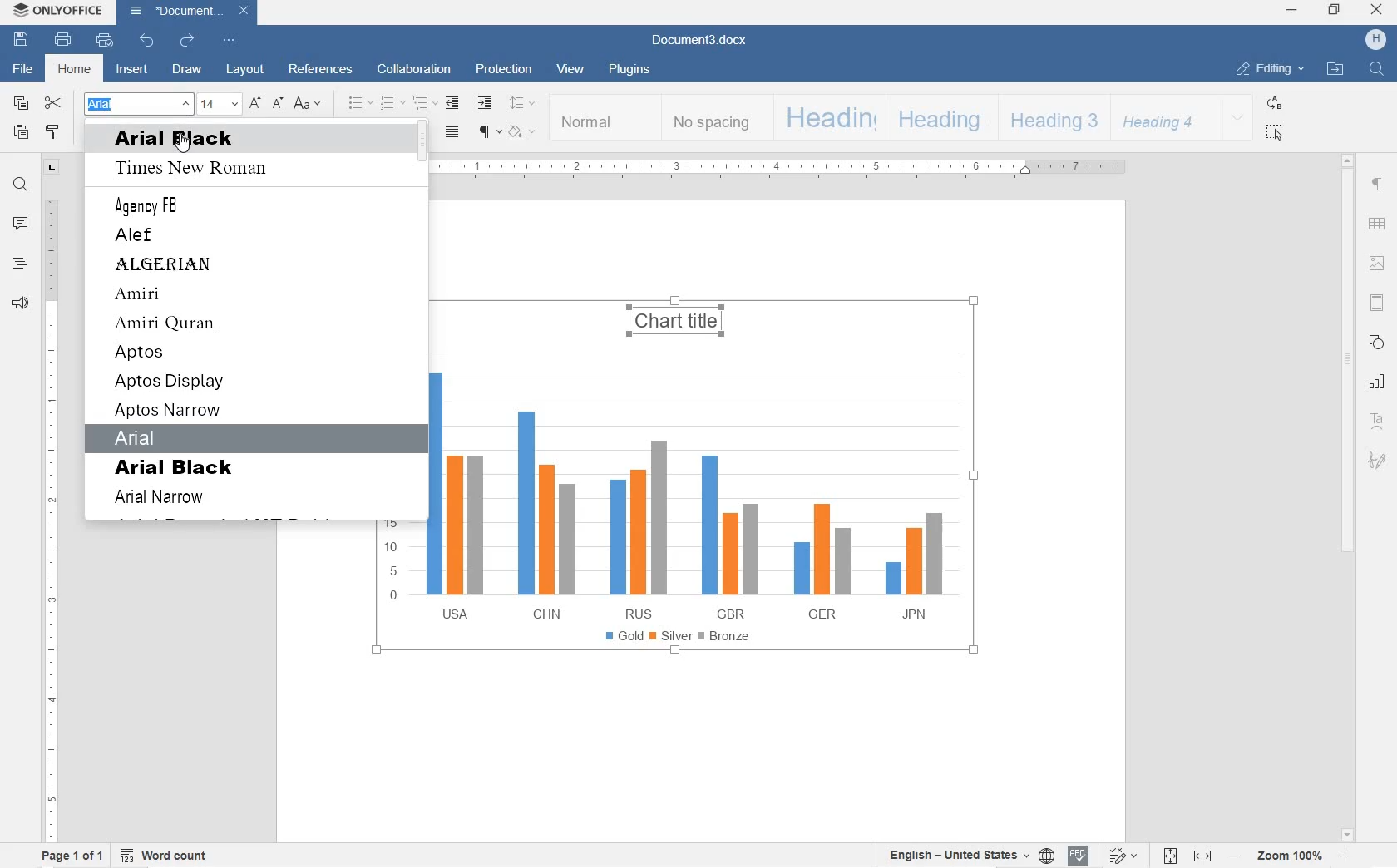 The image size is (1397, 868). Describe the element at coordinates (572, 71) in the screenshot. I see `VIEW` at that location.